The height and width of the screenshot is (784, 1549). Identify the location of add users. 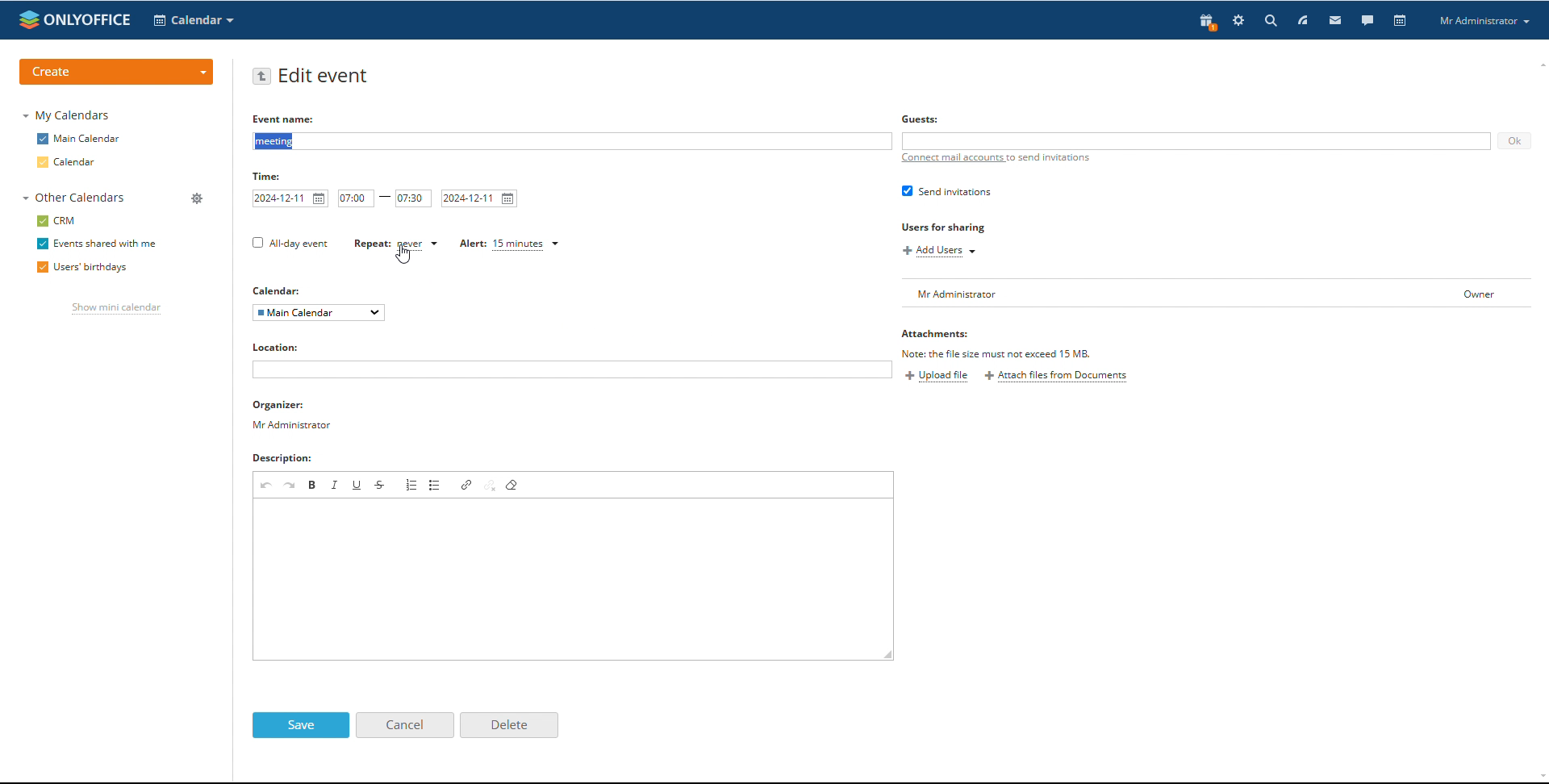
(942, 252).